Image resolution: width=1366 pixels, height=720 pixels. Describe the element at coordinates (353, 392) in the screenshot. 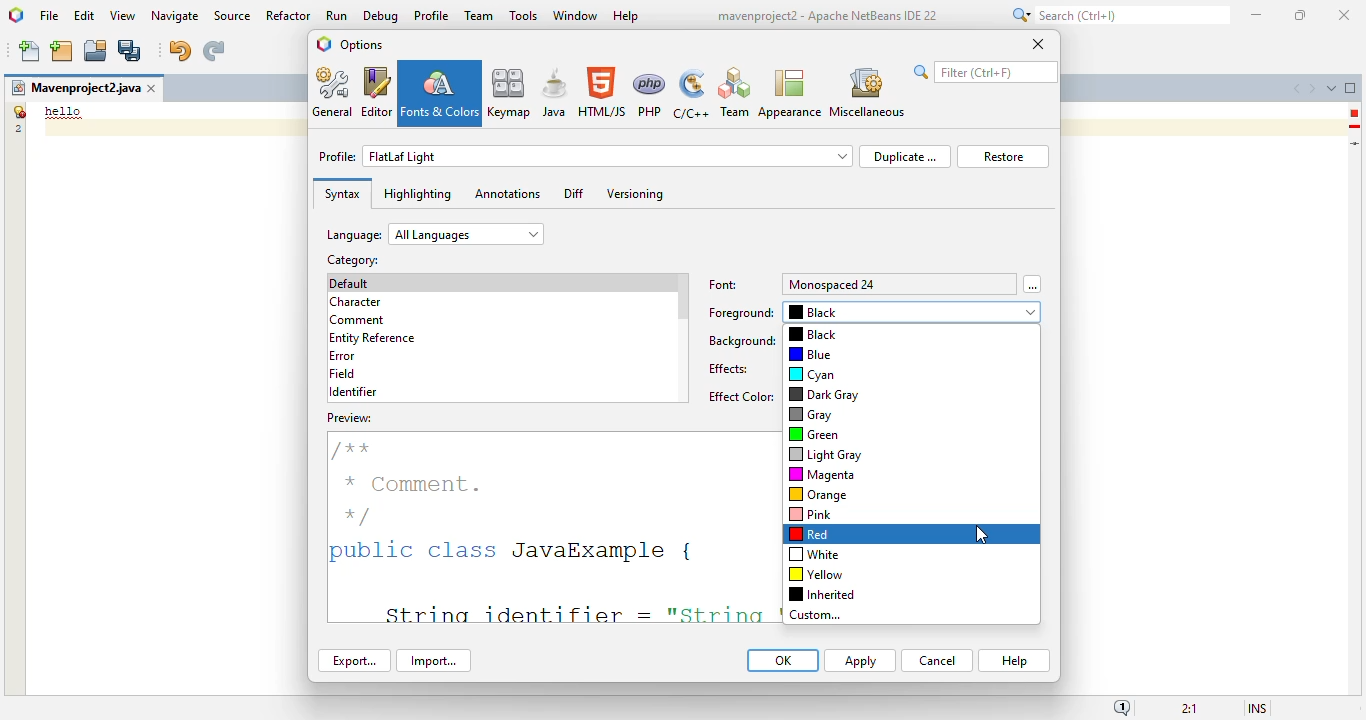

I see `identifier` at that location.